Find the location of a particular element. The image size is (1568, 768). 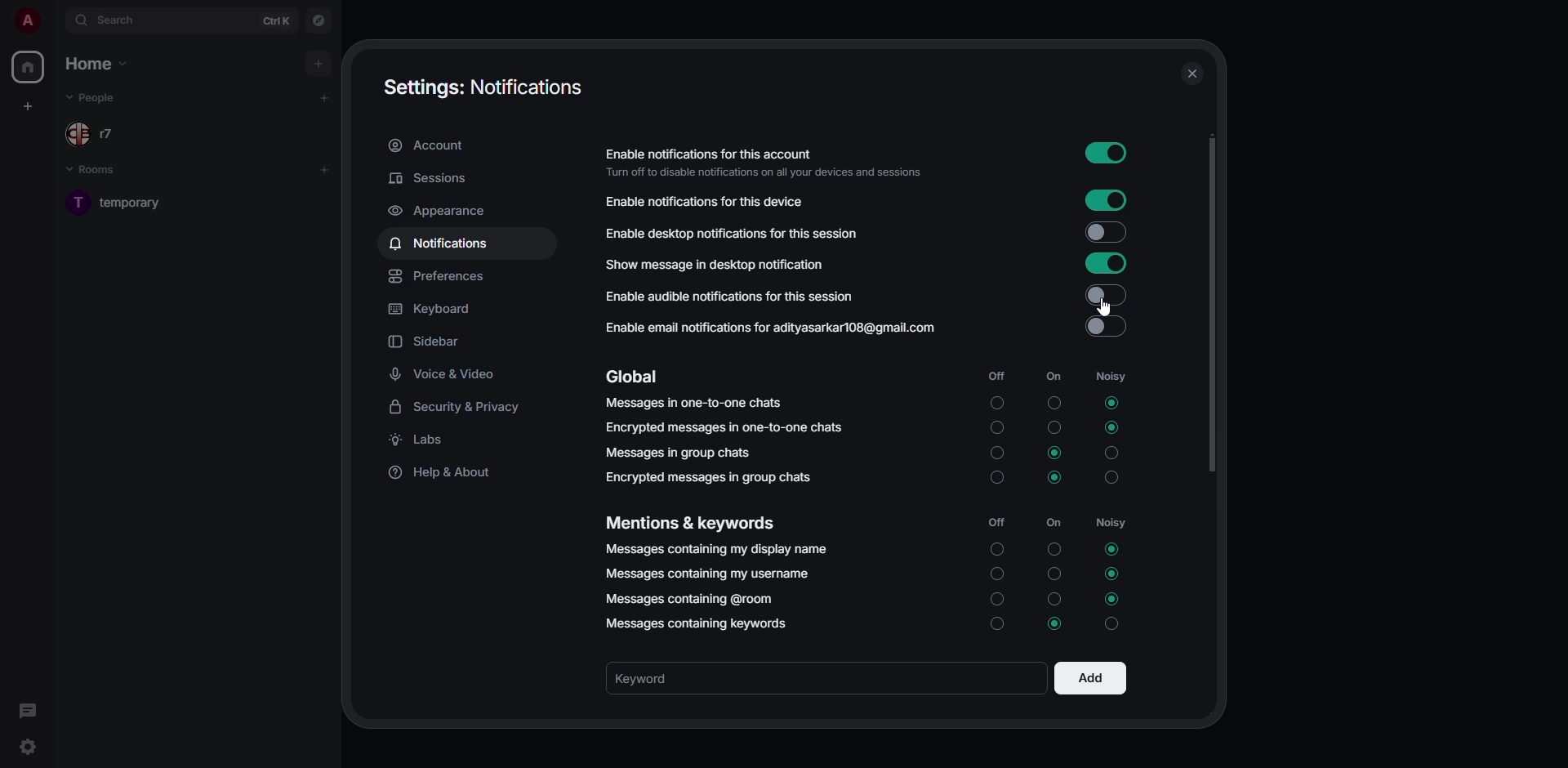

people is located at coordinates (95, 136).